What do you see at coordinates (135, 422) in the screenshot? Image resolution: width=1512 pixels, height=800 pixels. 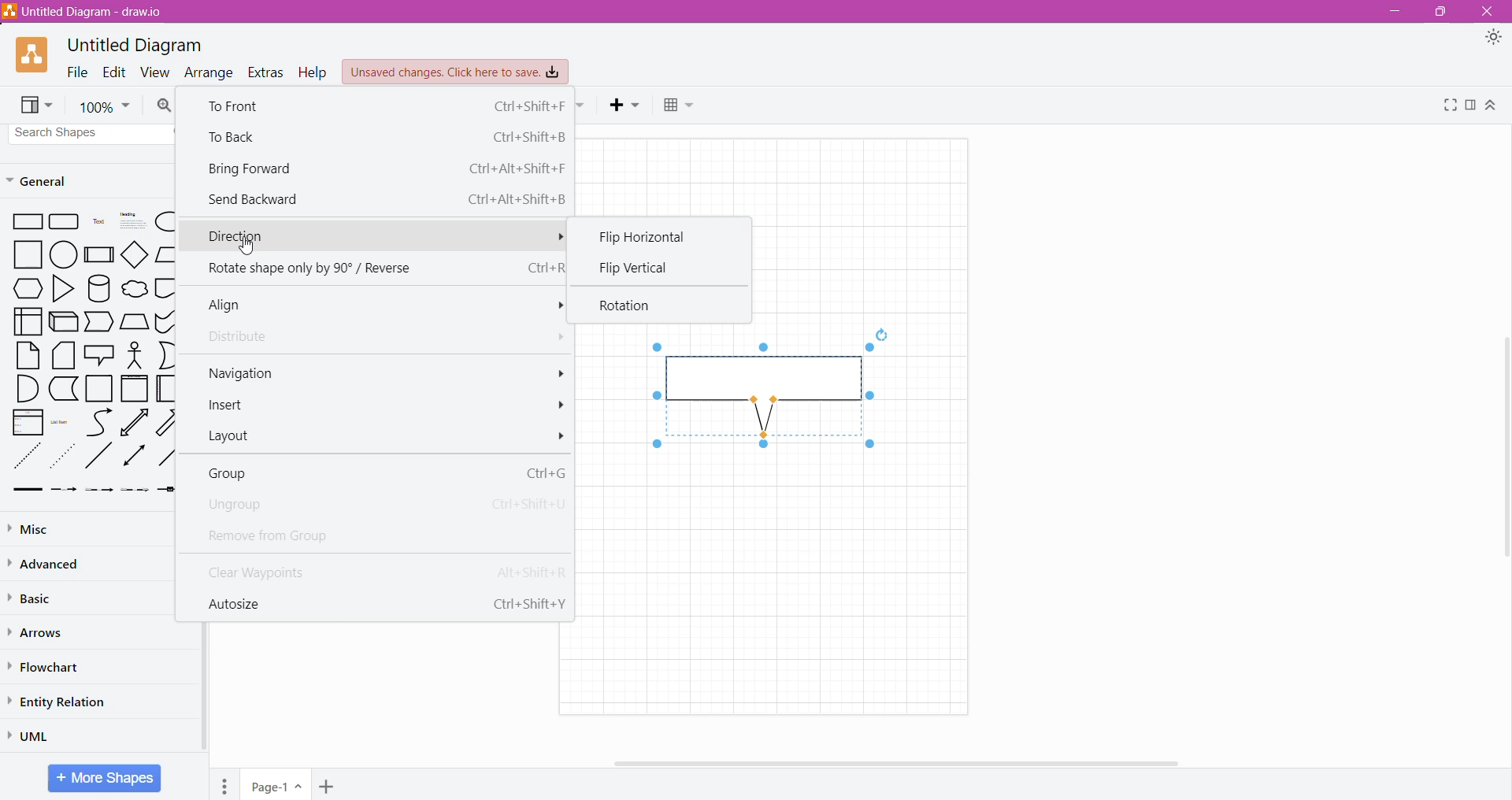 I see `Upward Arrow` at bounding box center [135, 422].